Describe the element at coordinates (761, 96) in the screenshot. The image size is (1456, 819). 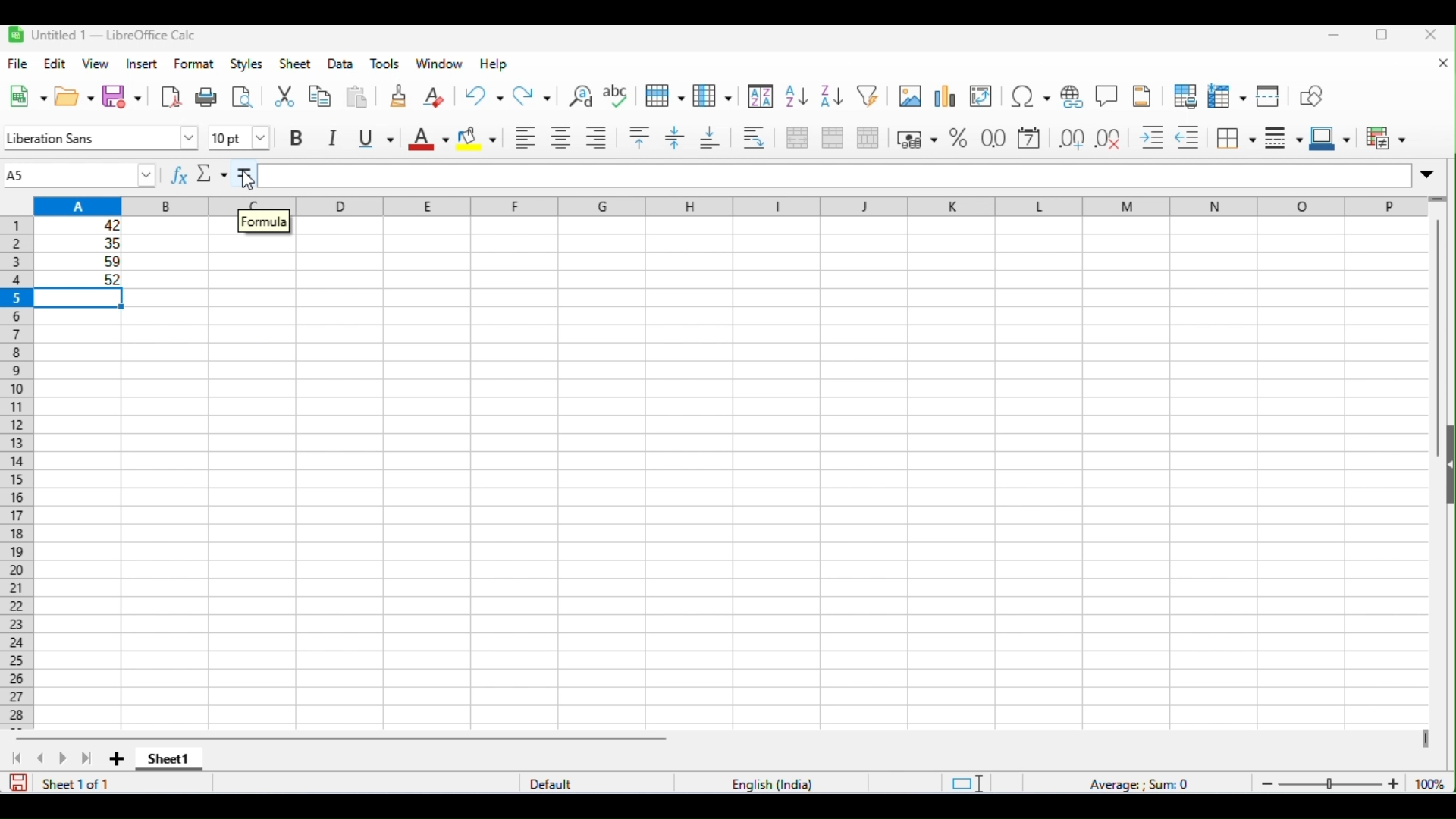
I see `sort` at that location.